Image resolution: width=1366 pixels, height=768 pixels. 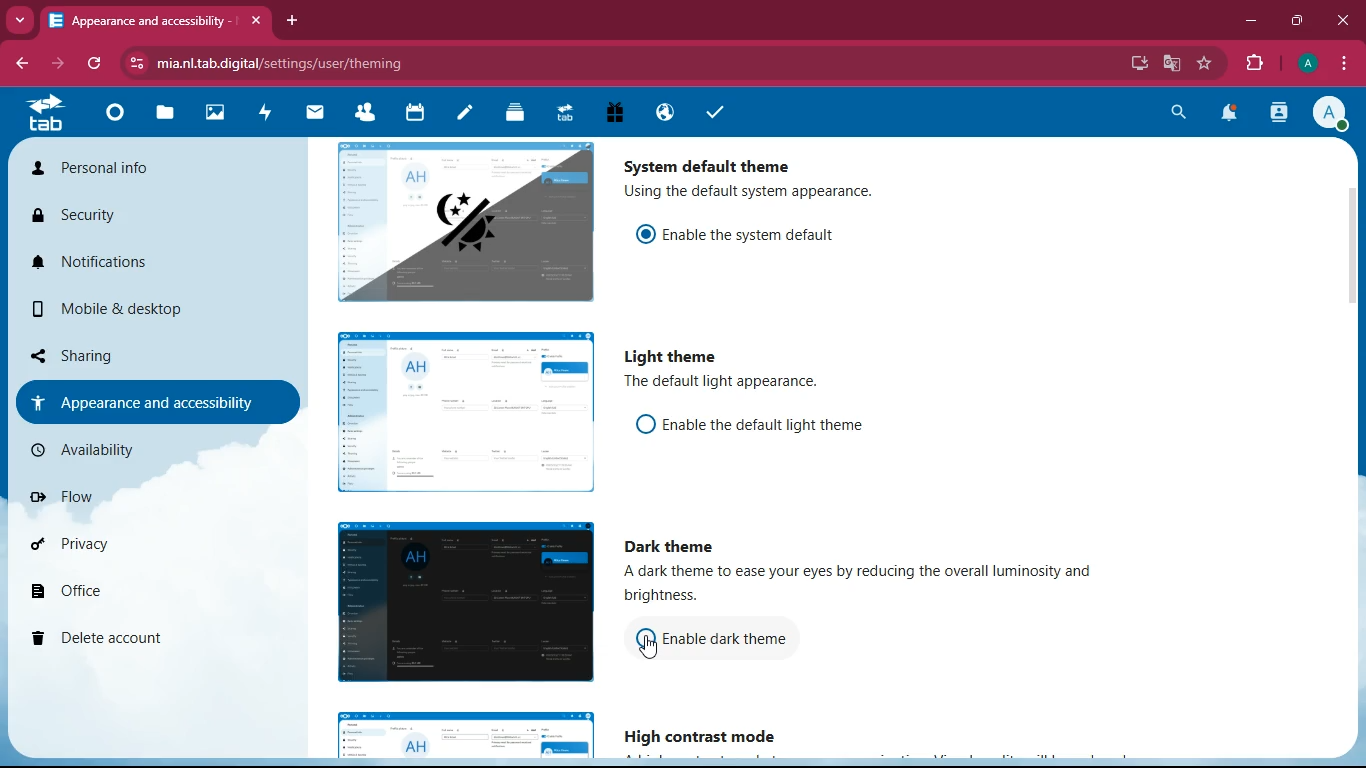 I want to click on public, so click(x=662, y=112).